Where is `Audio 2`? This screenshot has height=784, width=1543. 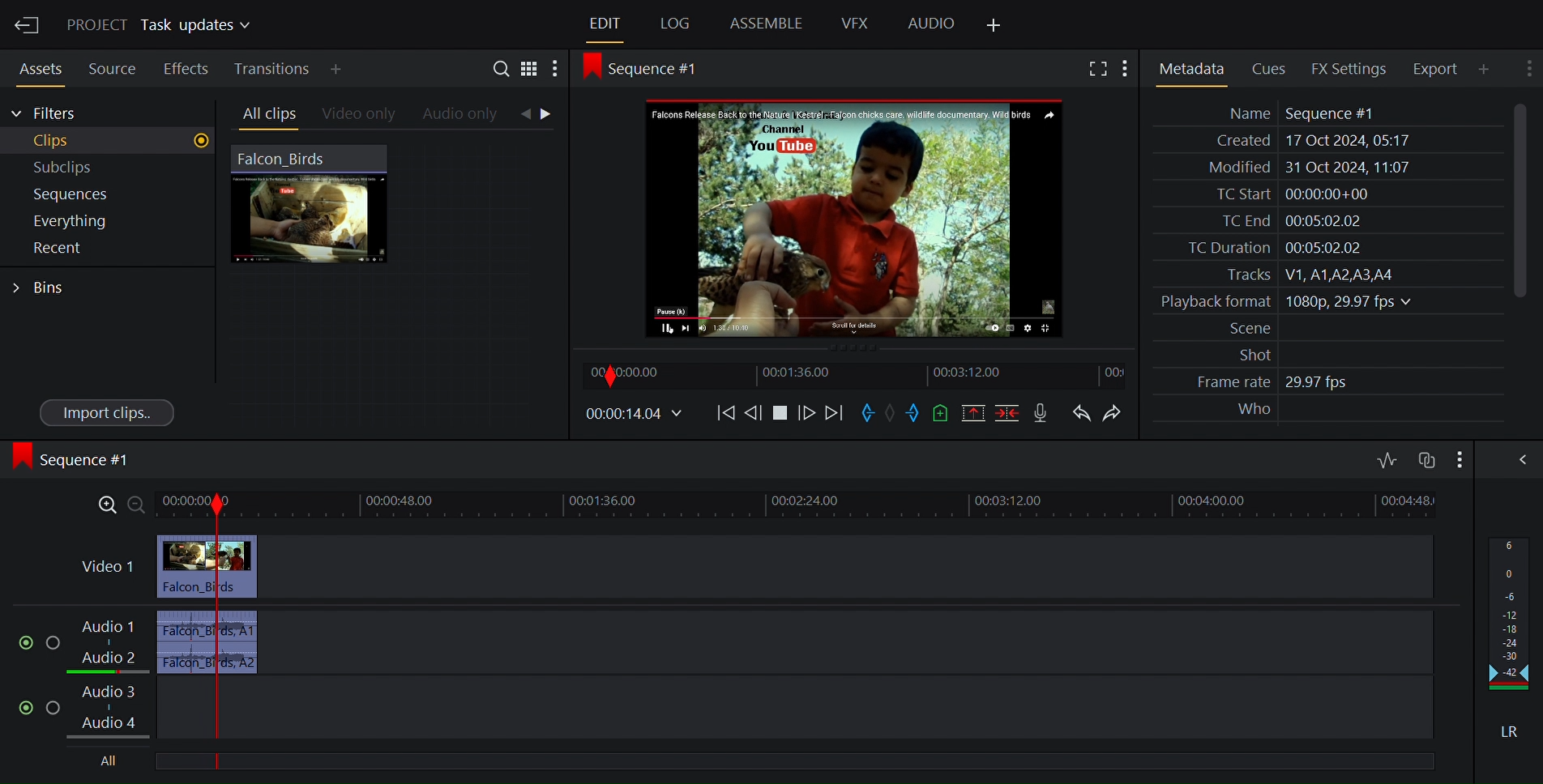
Audio 2 is located at coordinates (106, 660).